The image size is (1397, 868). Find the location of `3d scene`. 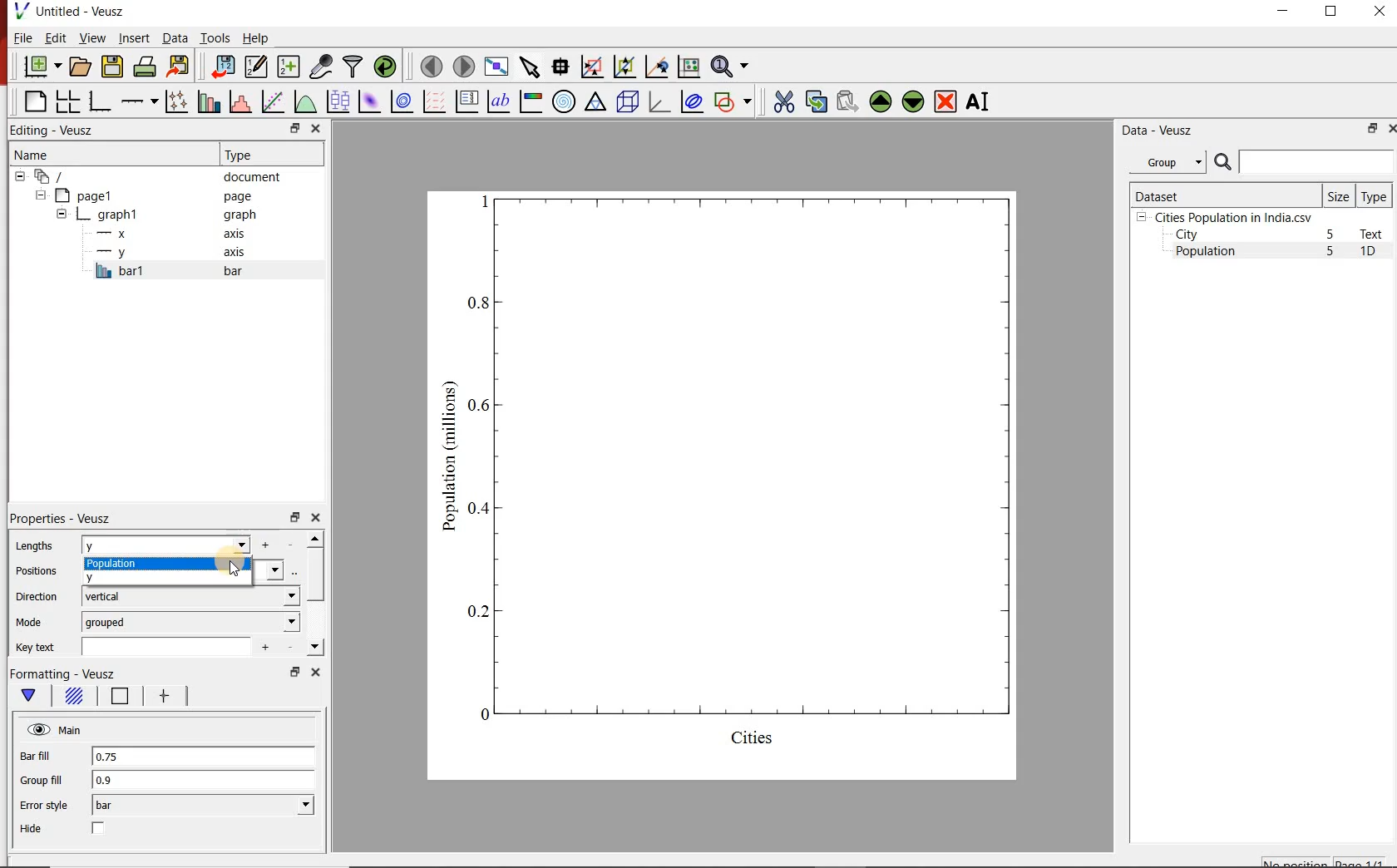

3d scene is located at coordinates (626, 101).